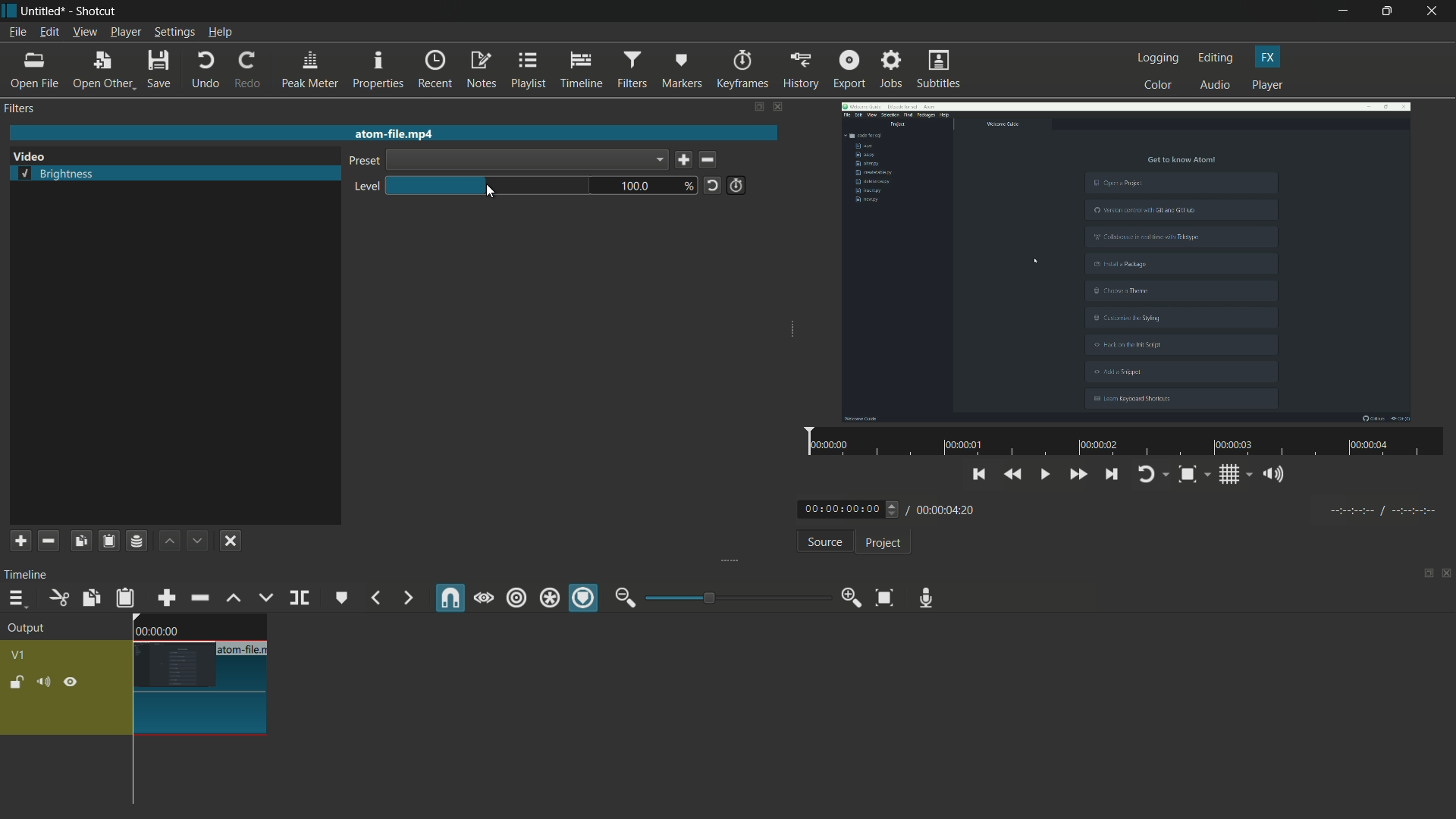 This screenshot has height=819, width=1456. I want to click on move filter down, so click(199, 541).